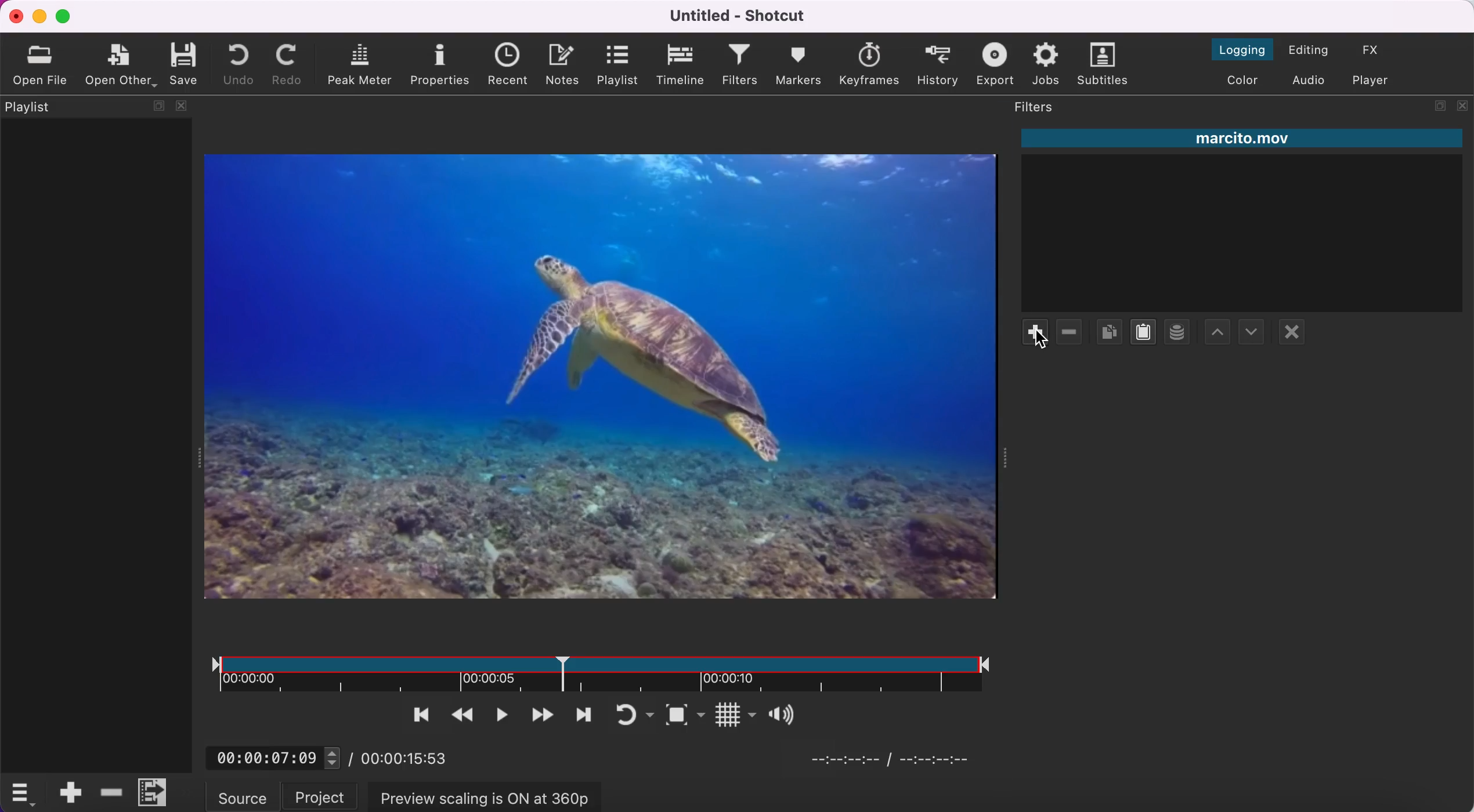  I want to click on save a filter set, so click(1179, 336).